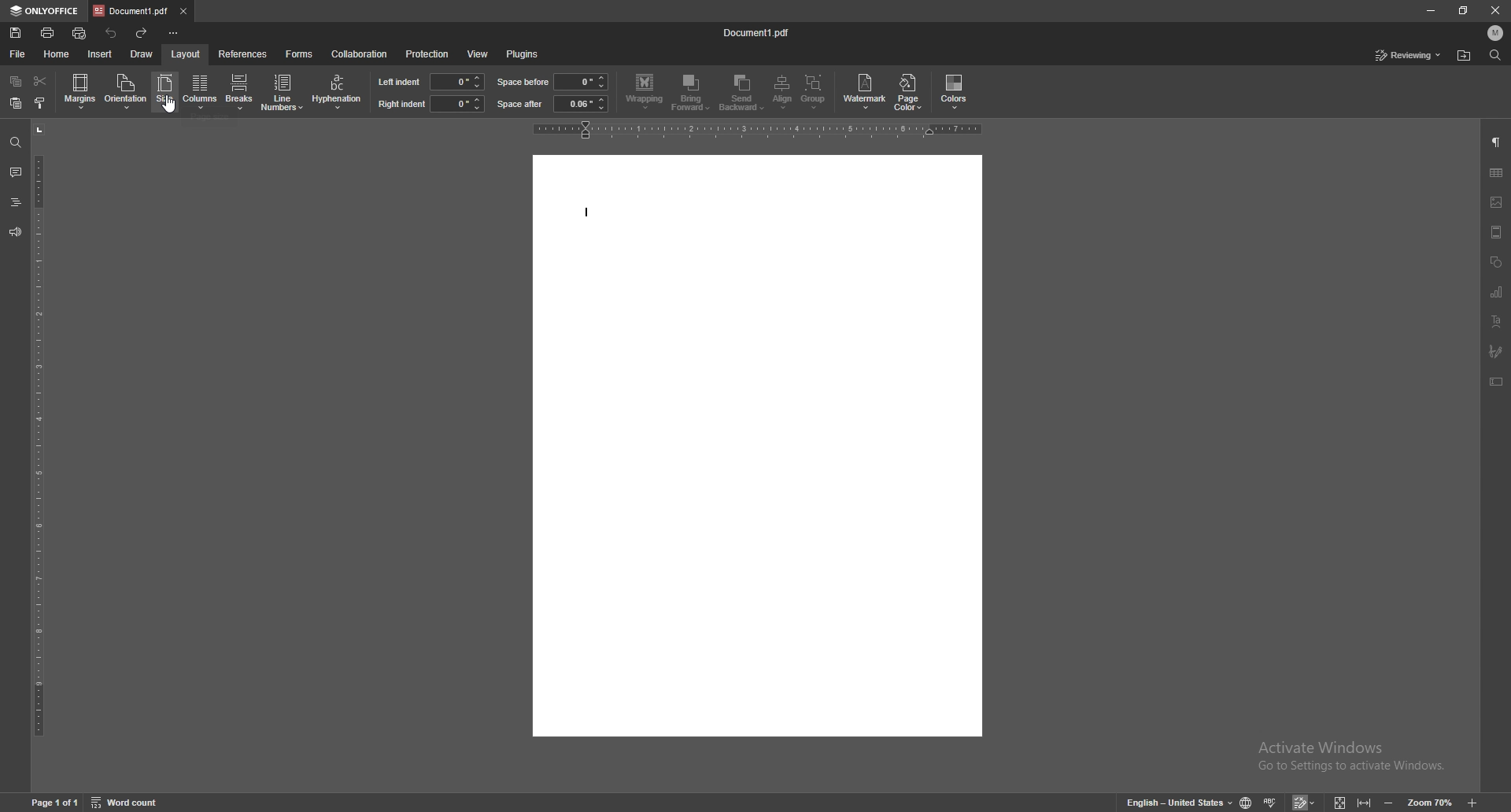 The width and height of the screenshot is (1511, 812). Describe the element at coordinates (1247, 802) in the screenshot. I see `change doc language` at that location.